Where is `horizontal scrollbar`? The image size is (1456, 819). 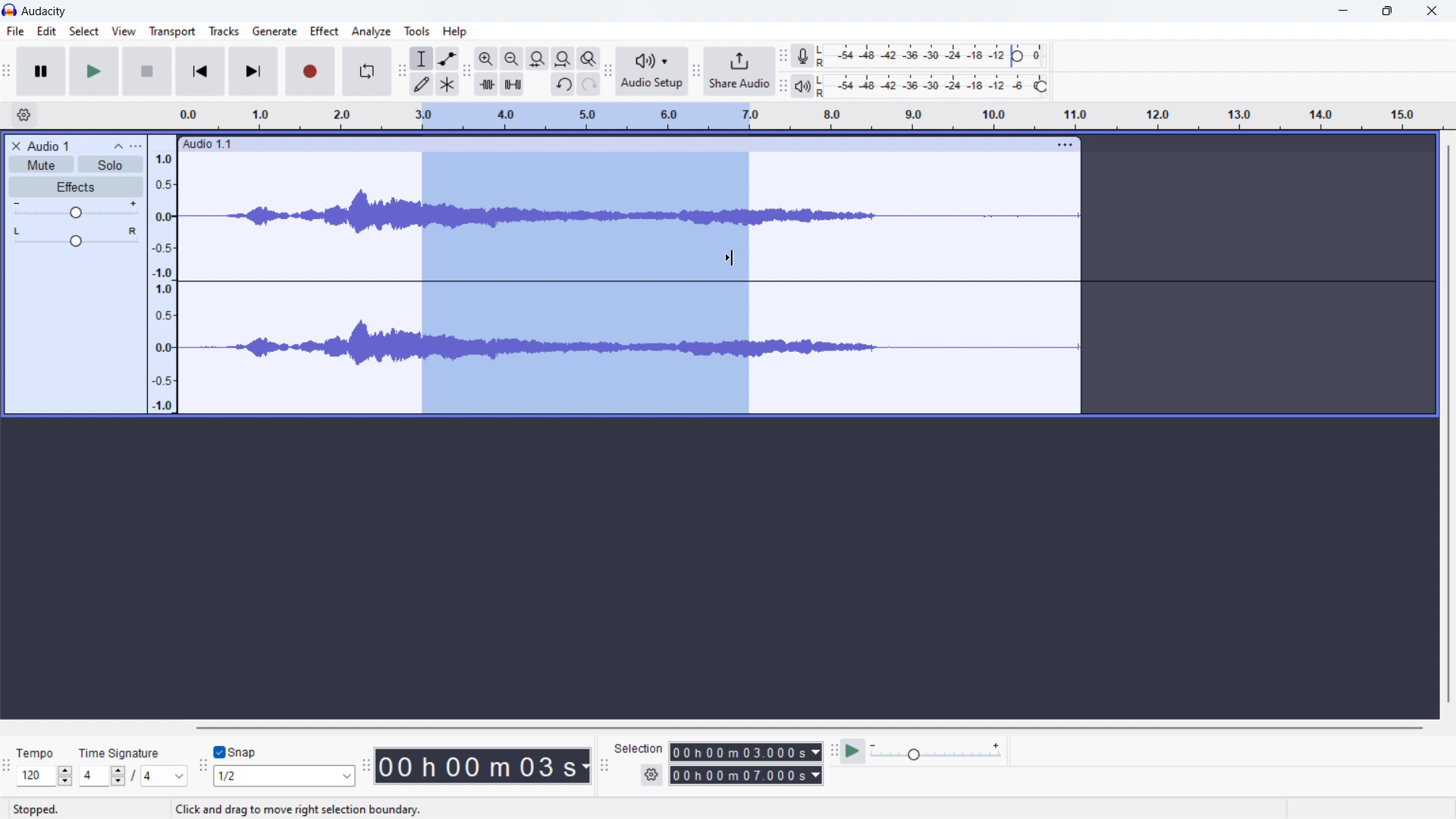
horizontal scrollbar is located at coordinates (811, 728).